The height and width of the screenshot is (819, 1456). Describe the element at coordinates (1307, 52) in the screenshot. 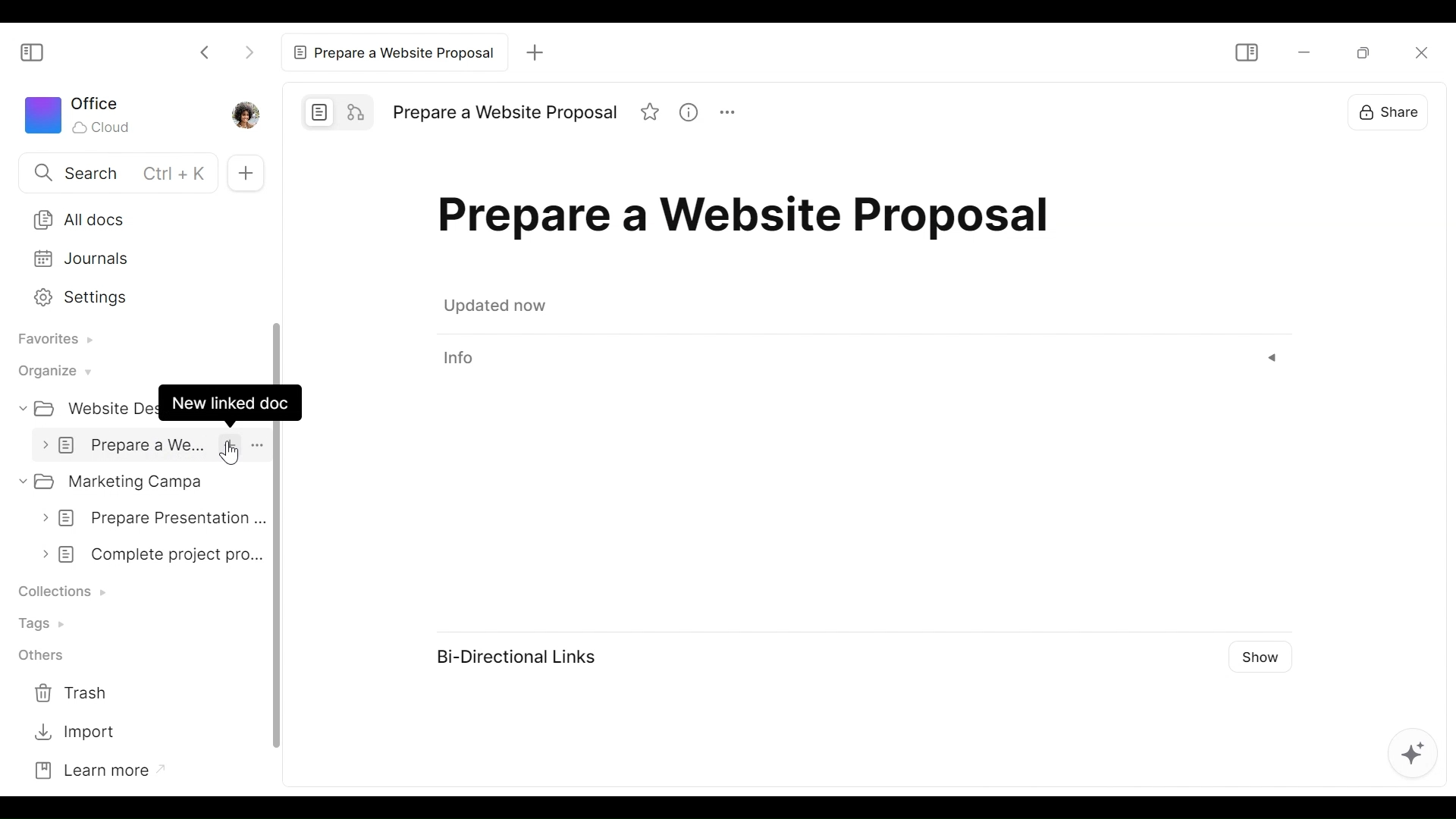

I see `minimize` at that location.